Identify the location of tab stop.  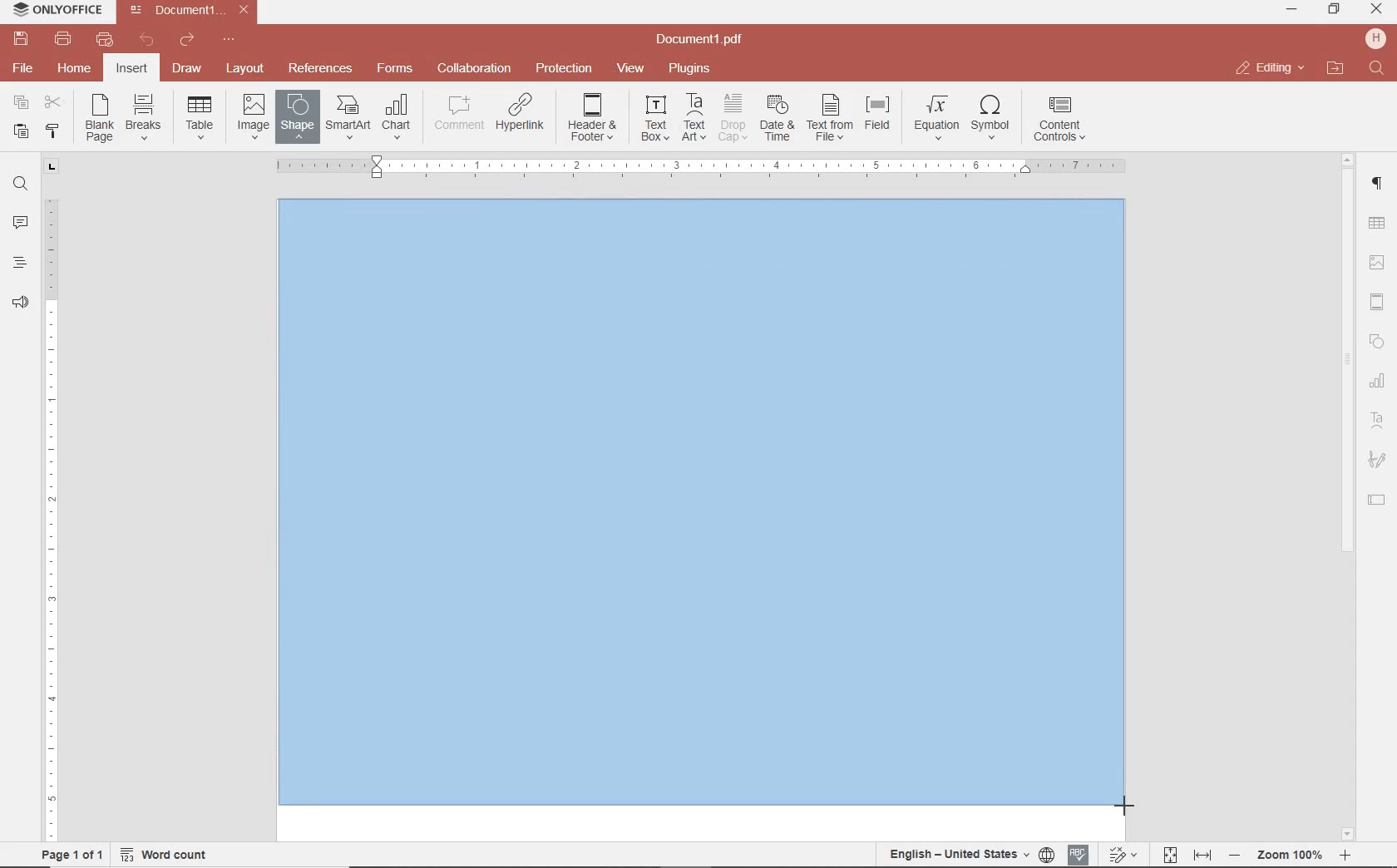
(52, 165).